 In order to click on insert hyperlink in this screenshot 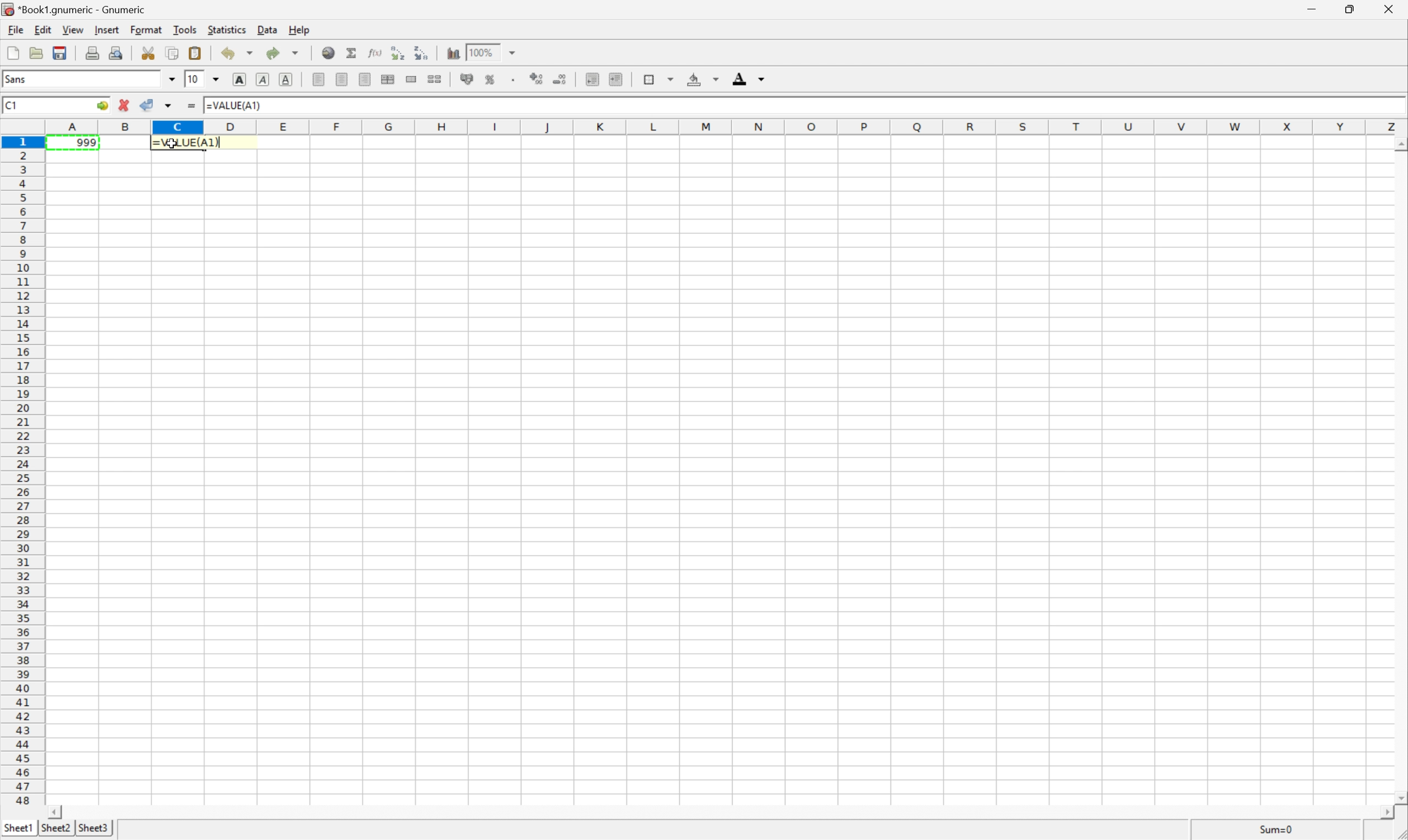, I will do `click(327, 53)`.